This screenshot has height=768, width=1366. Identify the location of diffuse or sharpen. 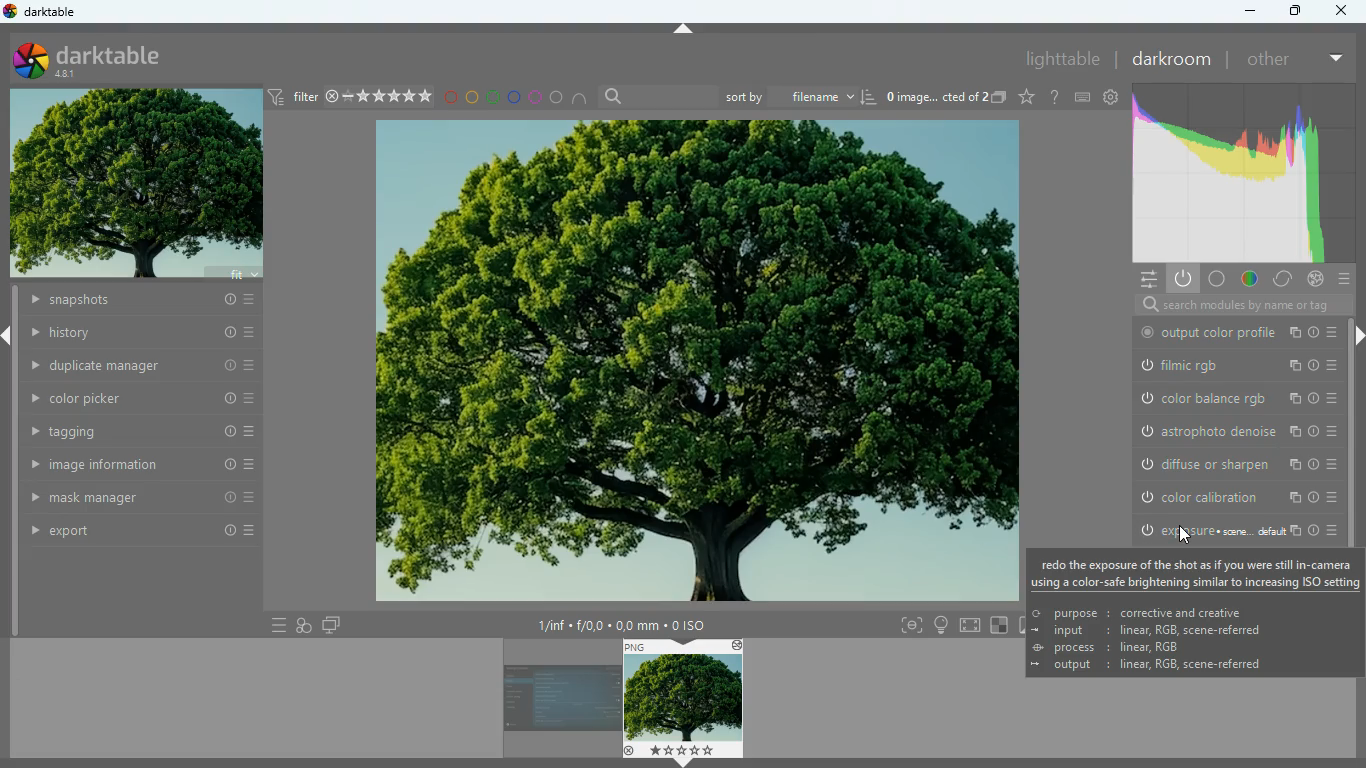
(1231, 464).